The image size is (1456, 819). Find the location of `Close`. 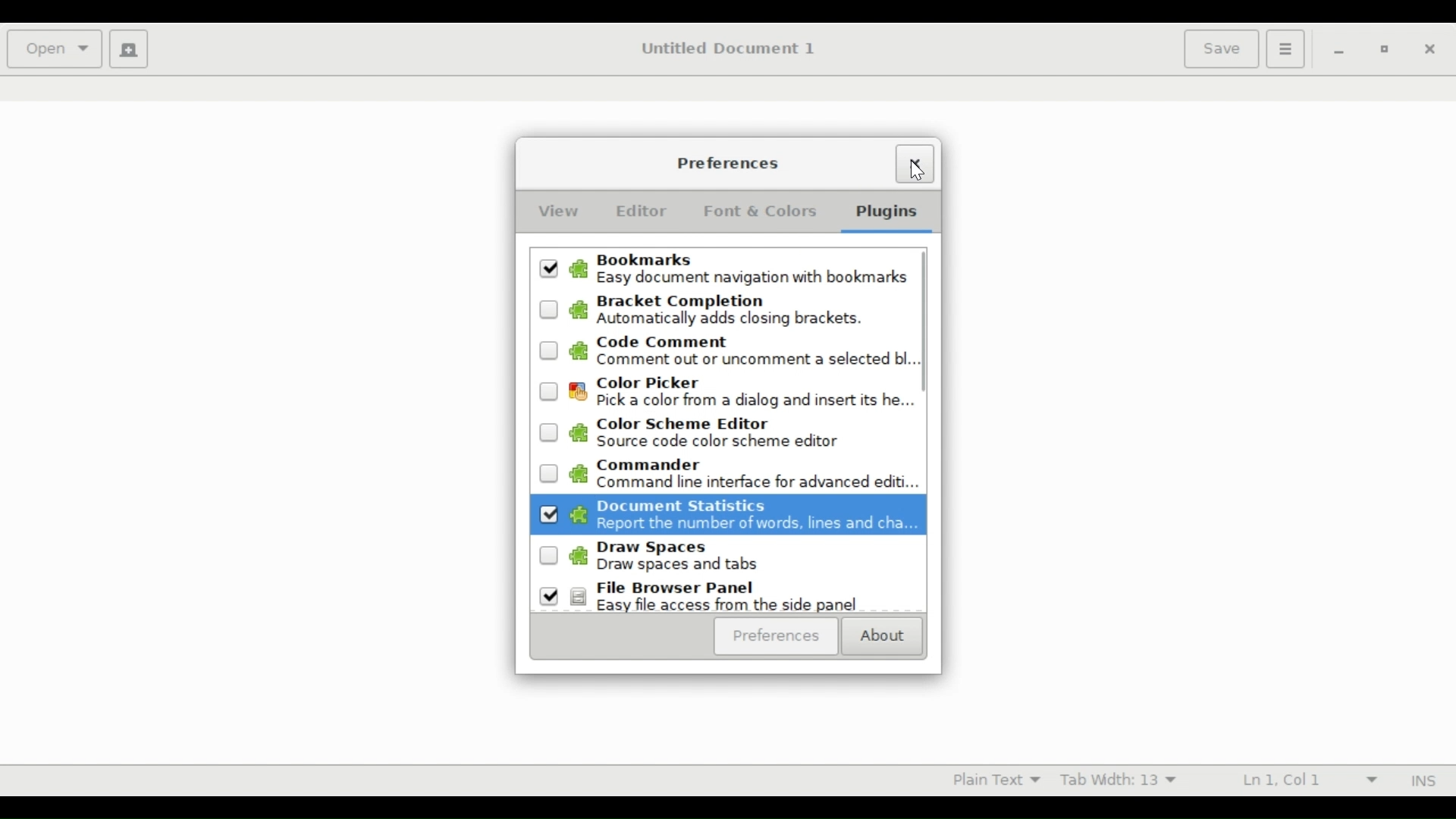

Close is located at coordinates (916, 165).